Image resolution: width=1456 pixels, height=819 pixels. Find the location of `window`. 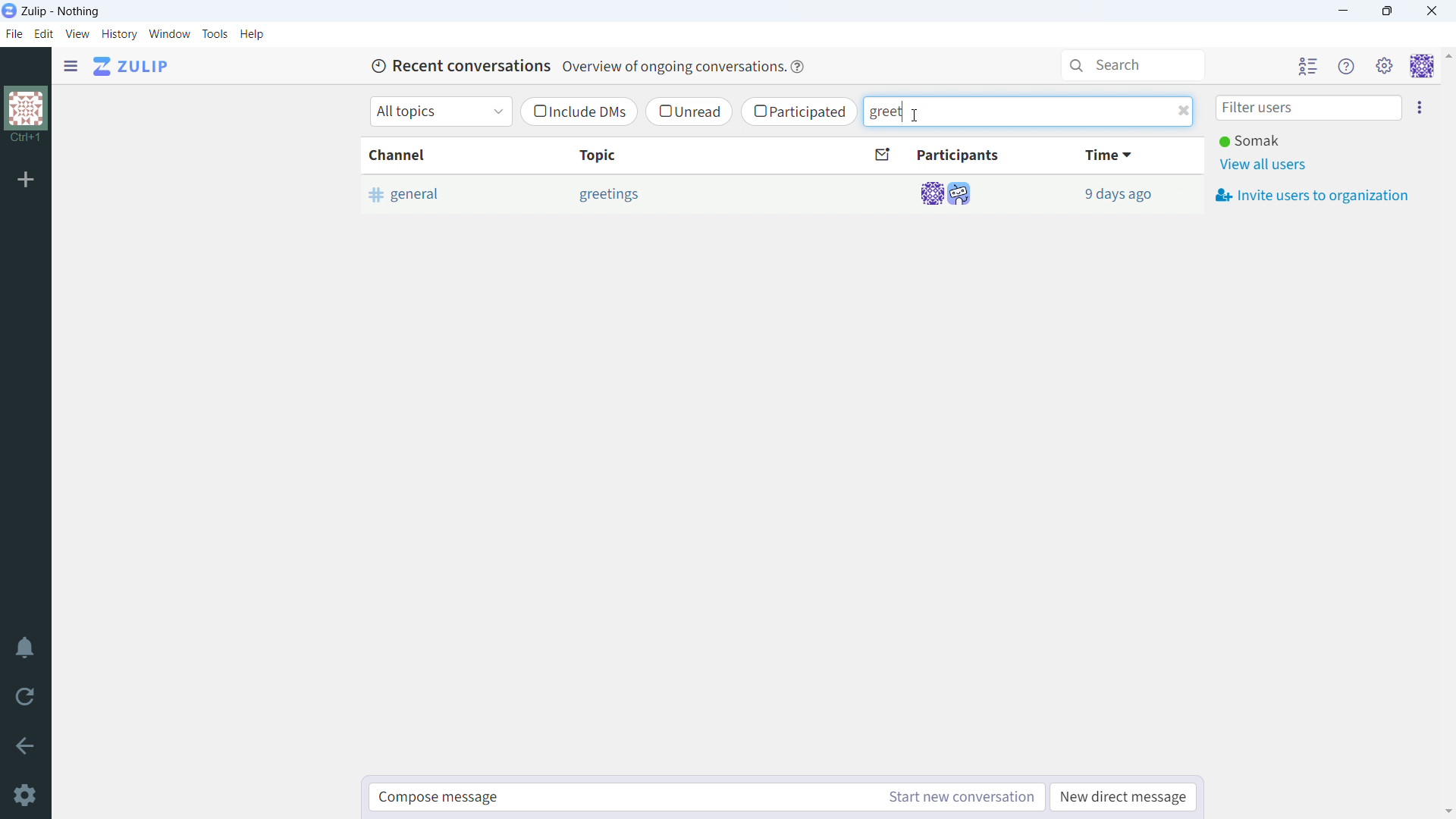

window is located at coordinates (170, 34).